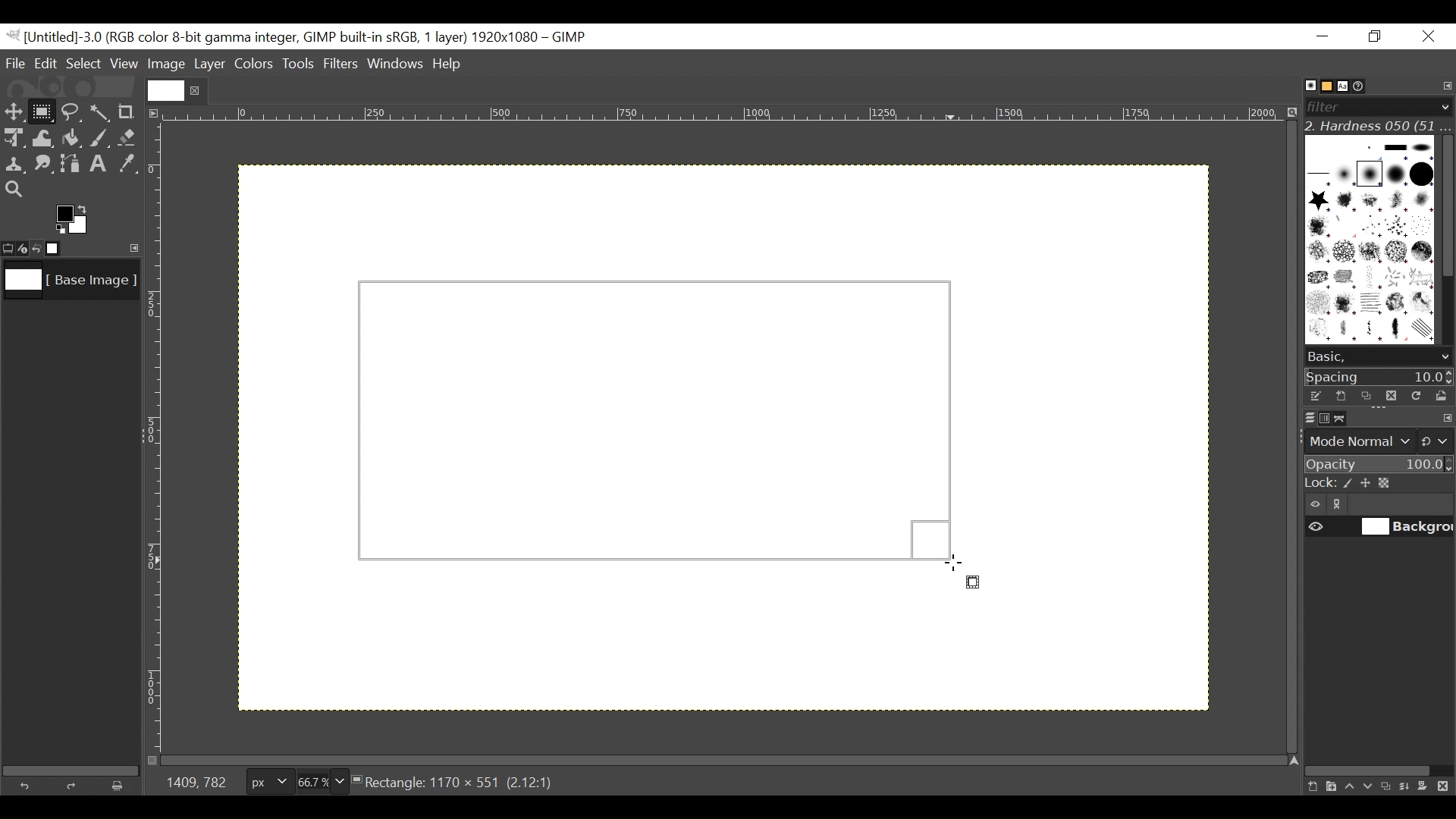  What do you see at coordinates (1323, 36) in the screenshot?
I see `Minimize` at bounding box center [1323, 36].